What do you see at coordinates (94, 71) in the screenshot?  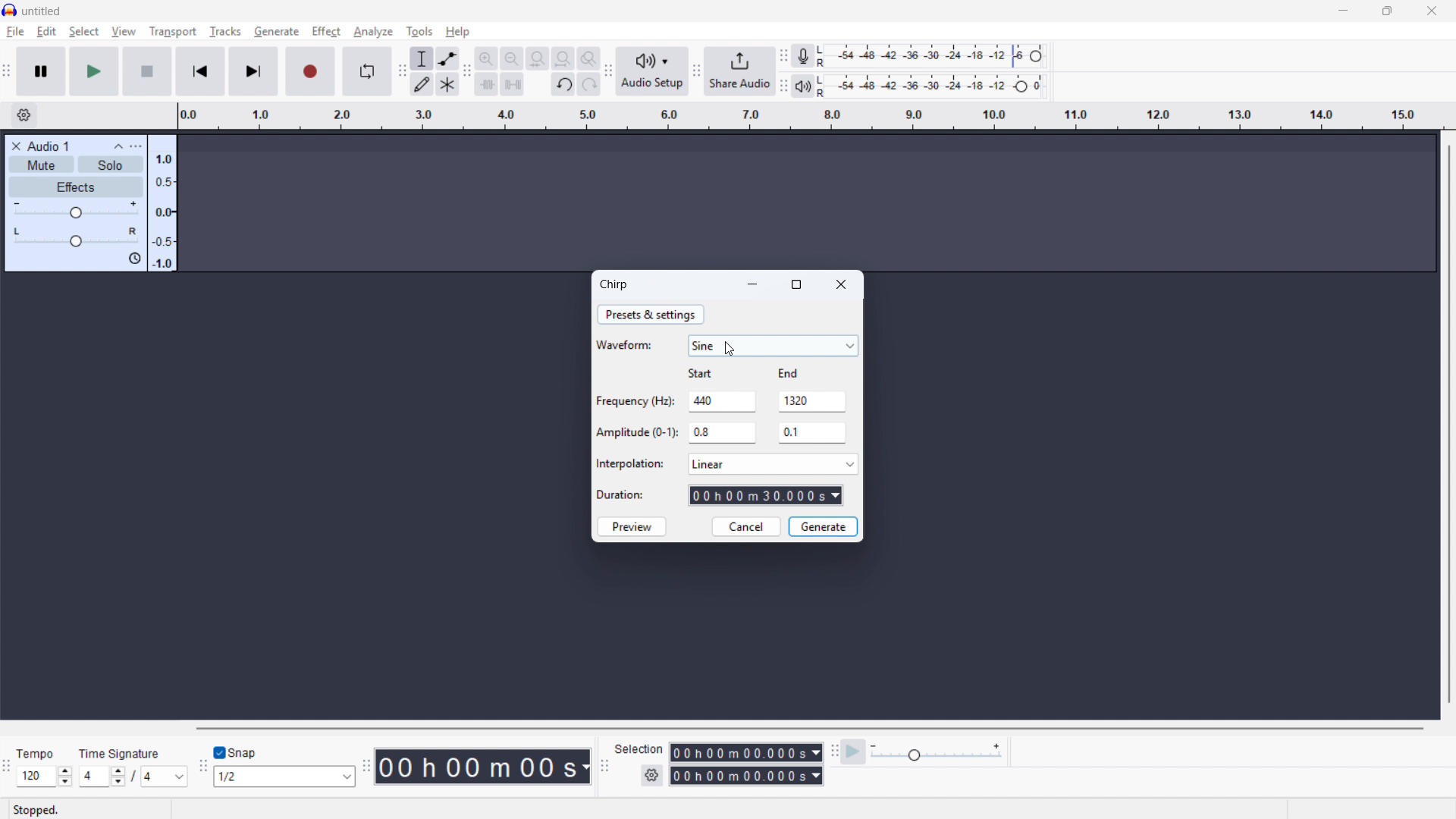 I see `play ` at bounding box center [94, 71].